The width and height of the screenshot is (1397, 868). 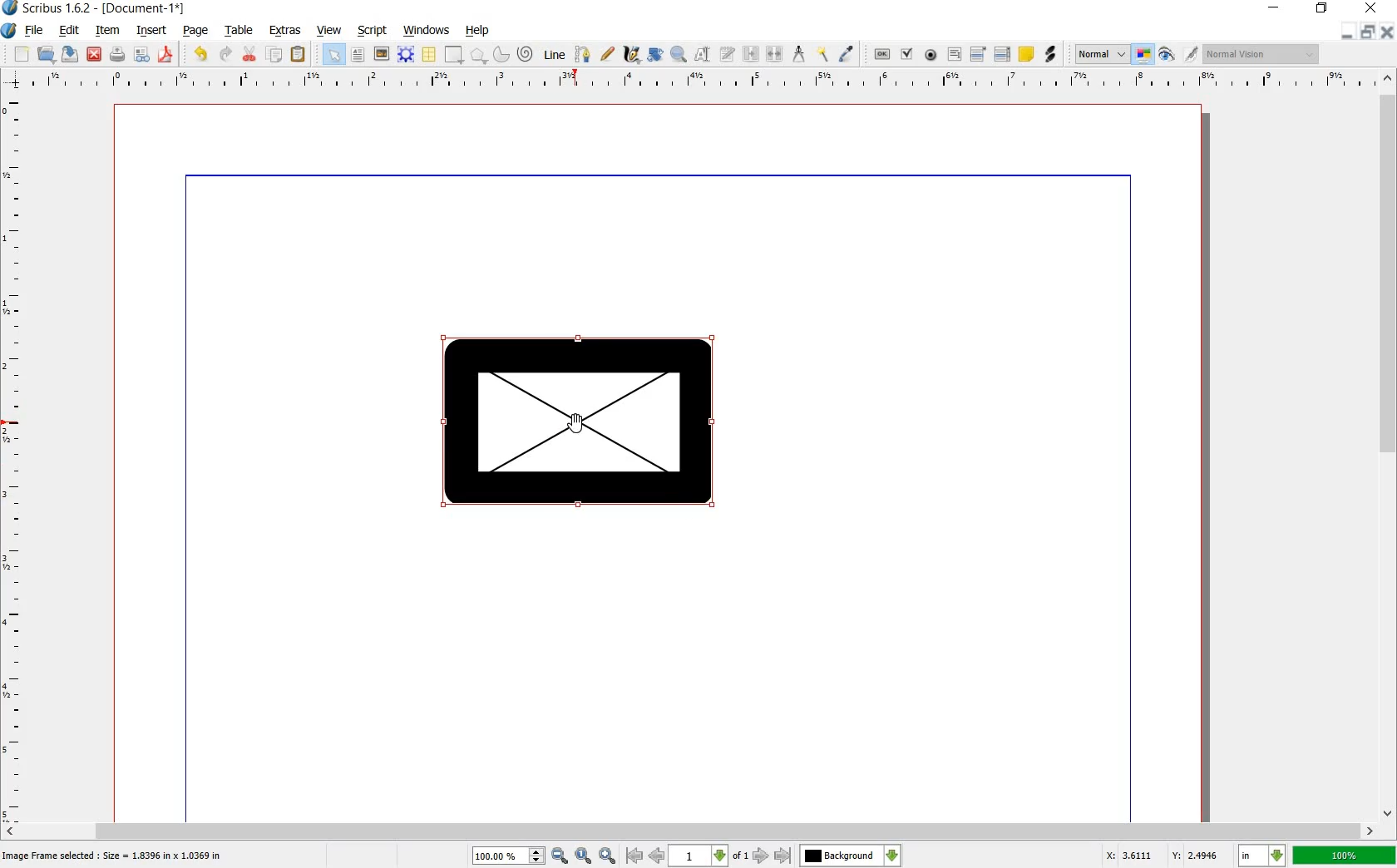 What do you see at coordinates (357, 55) in the screenshot?
I see `text frame` at bounding box center [357, 55].